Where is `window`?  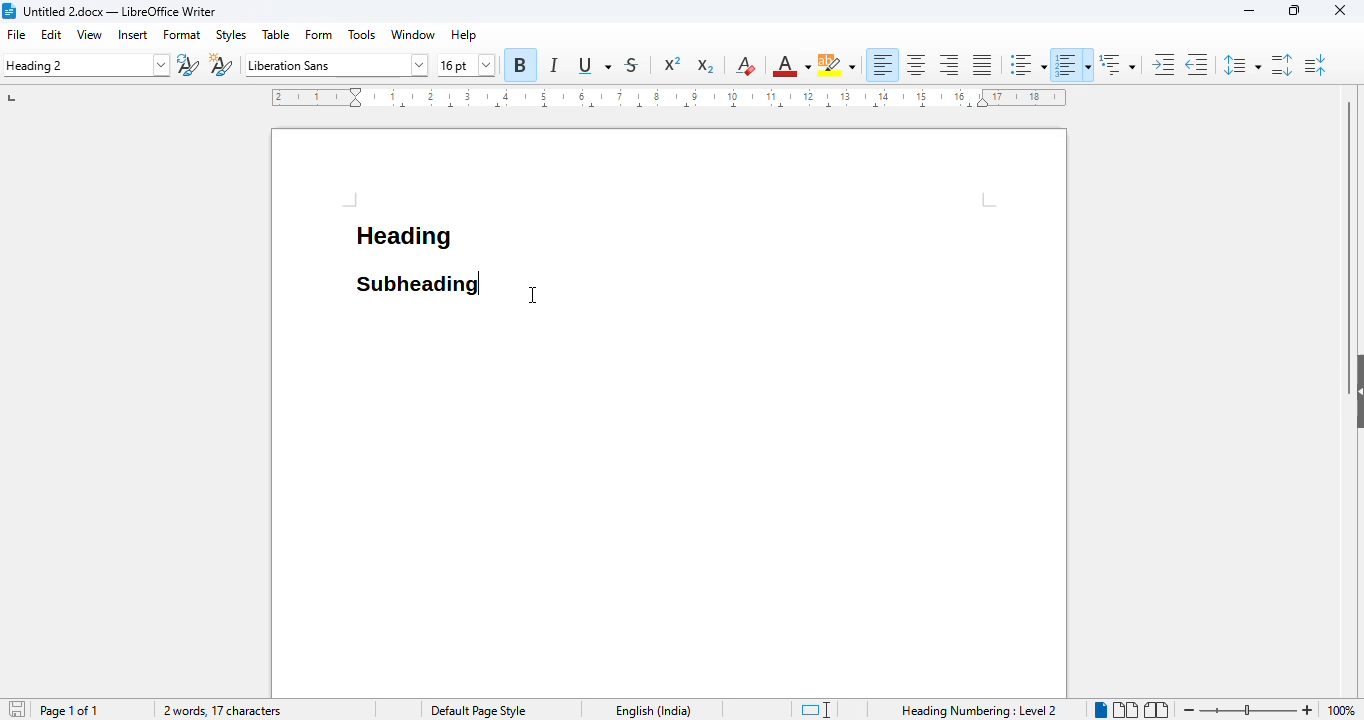
window is located at coordinates (413, 35).